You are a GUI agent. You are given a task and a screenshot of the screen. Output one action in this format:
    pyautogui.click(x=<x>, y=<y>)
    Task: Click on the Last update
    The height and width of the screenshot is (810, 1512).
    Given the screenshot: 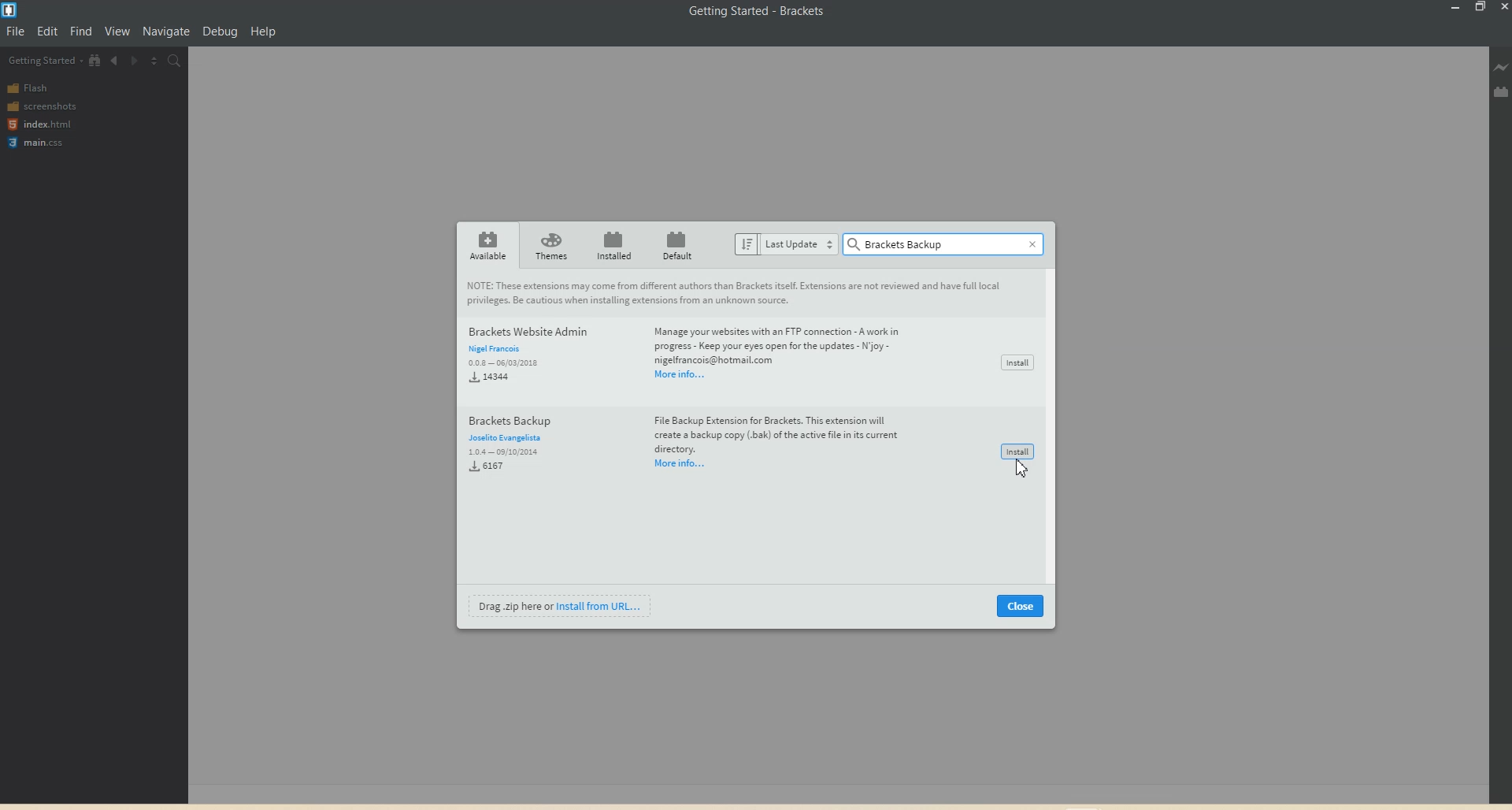 What is the action you would take?
    pyautogui.click(x=785, y=243)
    